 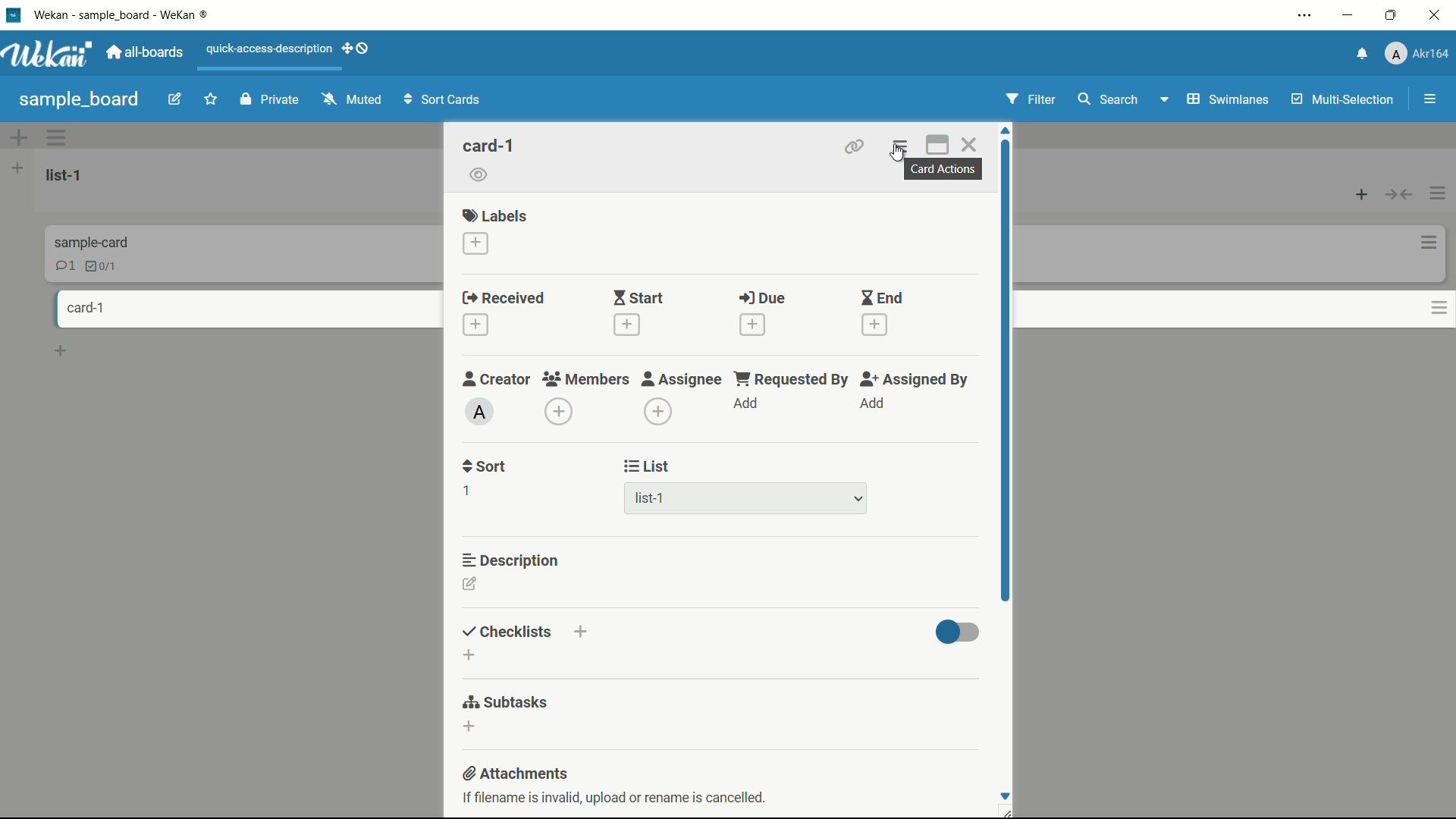 I want to click on checklists, so click(x=508, y=632).